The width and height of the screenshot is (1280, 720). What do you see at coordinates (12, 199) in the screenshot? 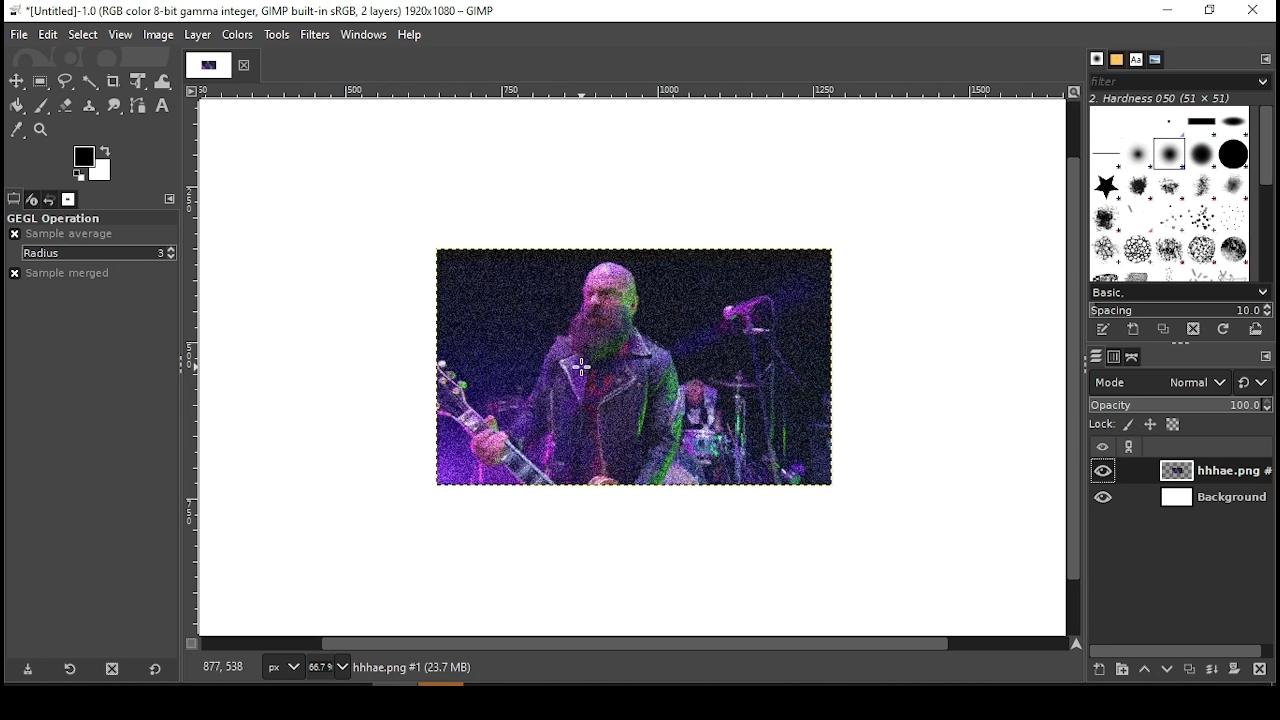
I see `tool options` at bounding box center [12, 199].